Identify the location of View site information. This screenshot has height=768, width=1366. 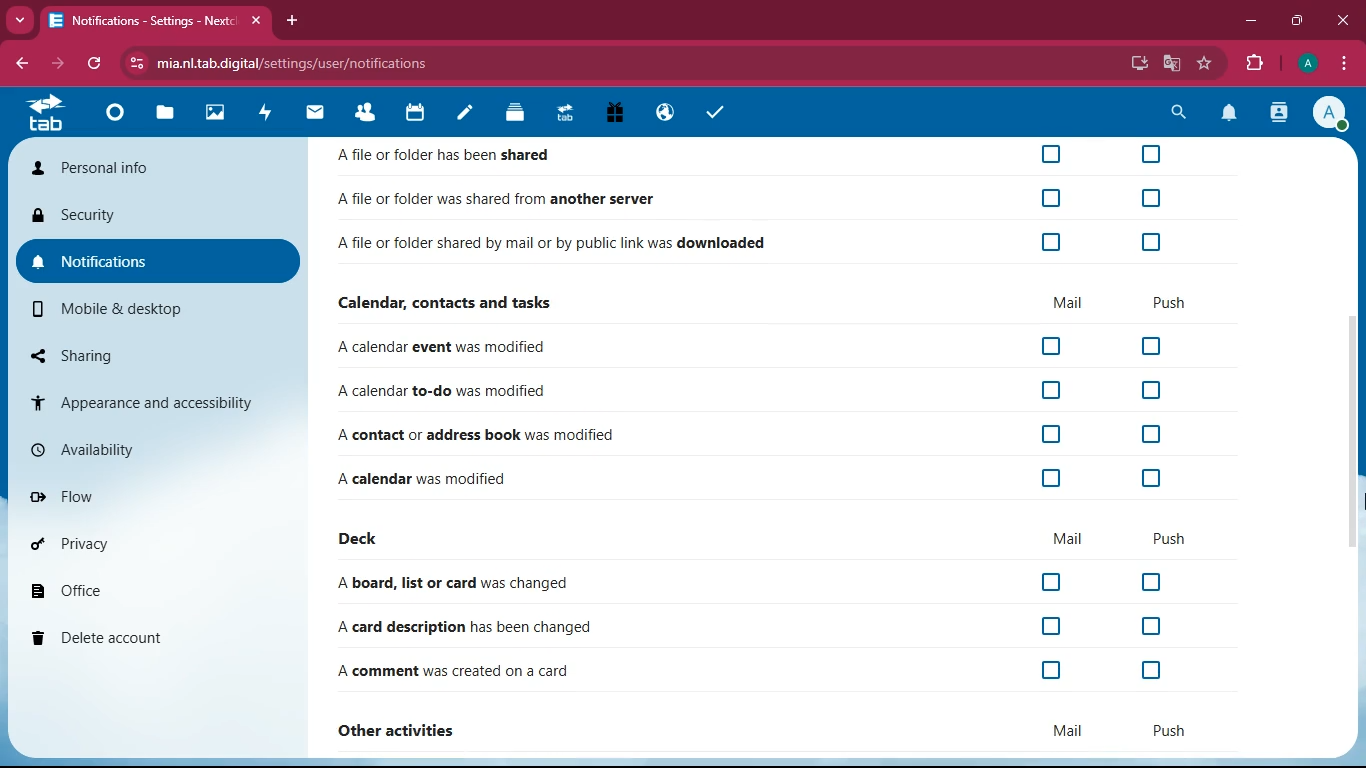
(136, 63).